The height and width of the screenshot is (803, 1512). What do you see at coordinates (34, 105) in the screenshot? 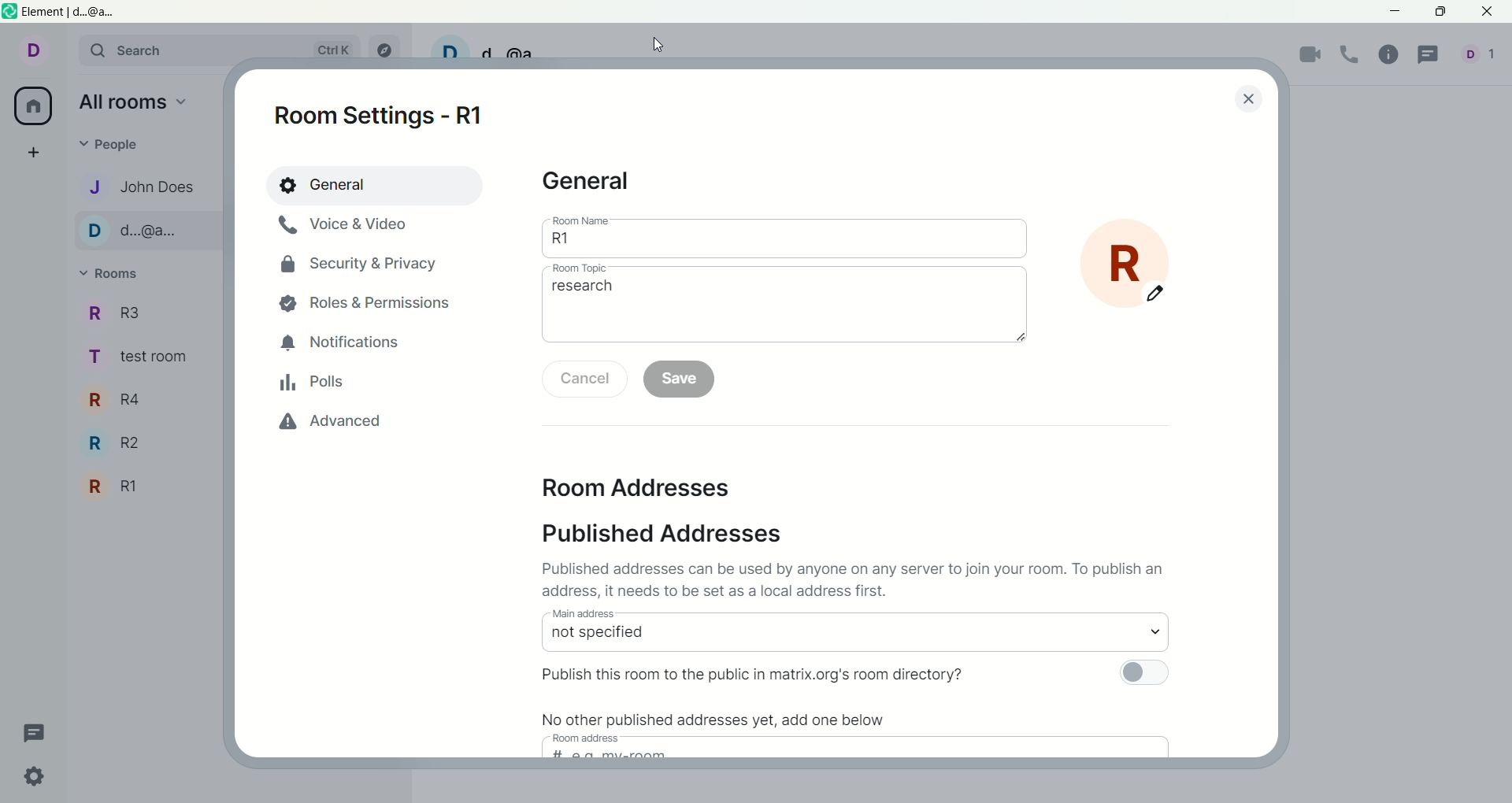
I see `all rooms` at bounding box center [34, 105].